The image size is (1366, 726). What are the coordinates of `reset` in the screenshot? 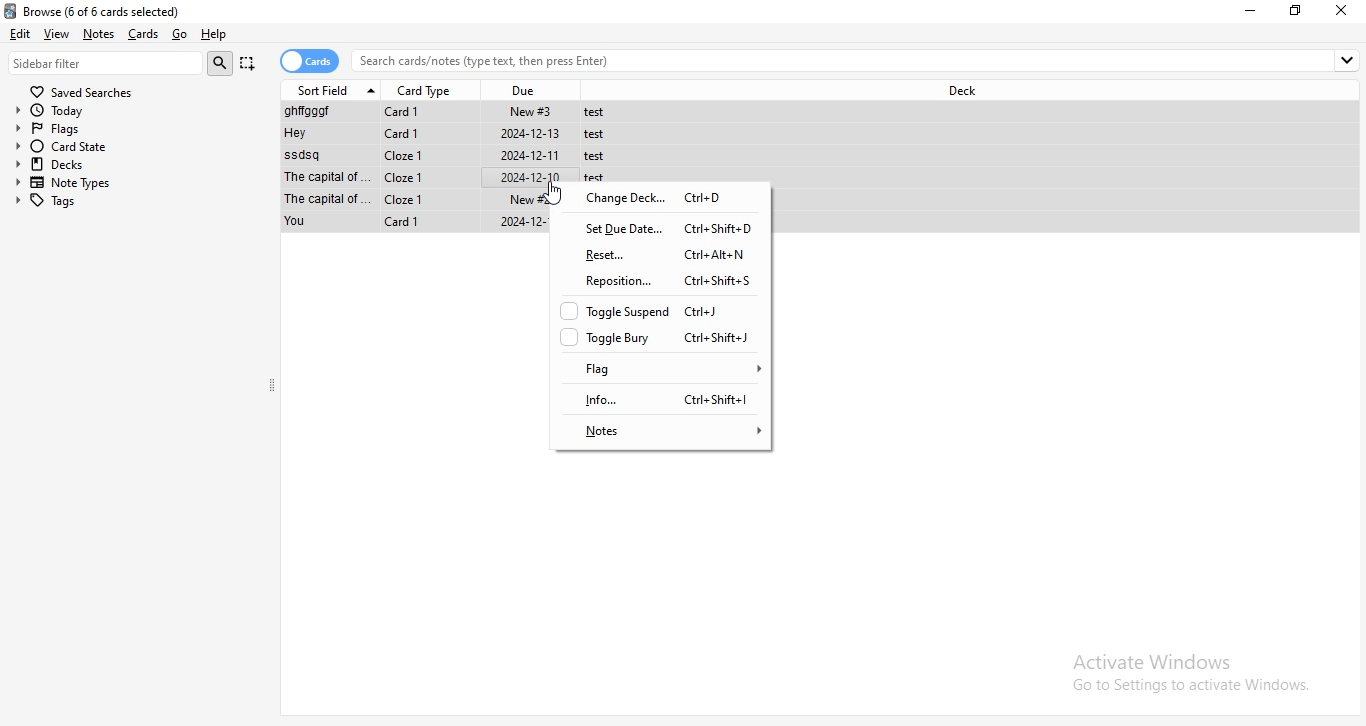 It's located at (662, 253).